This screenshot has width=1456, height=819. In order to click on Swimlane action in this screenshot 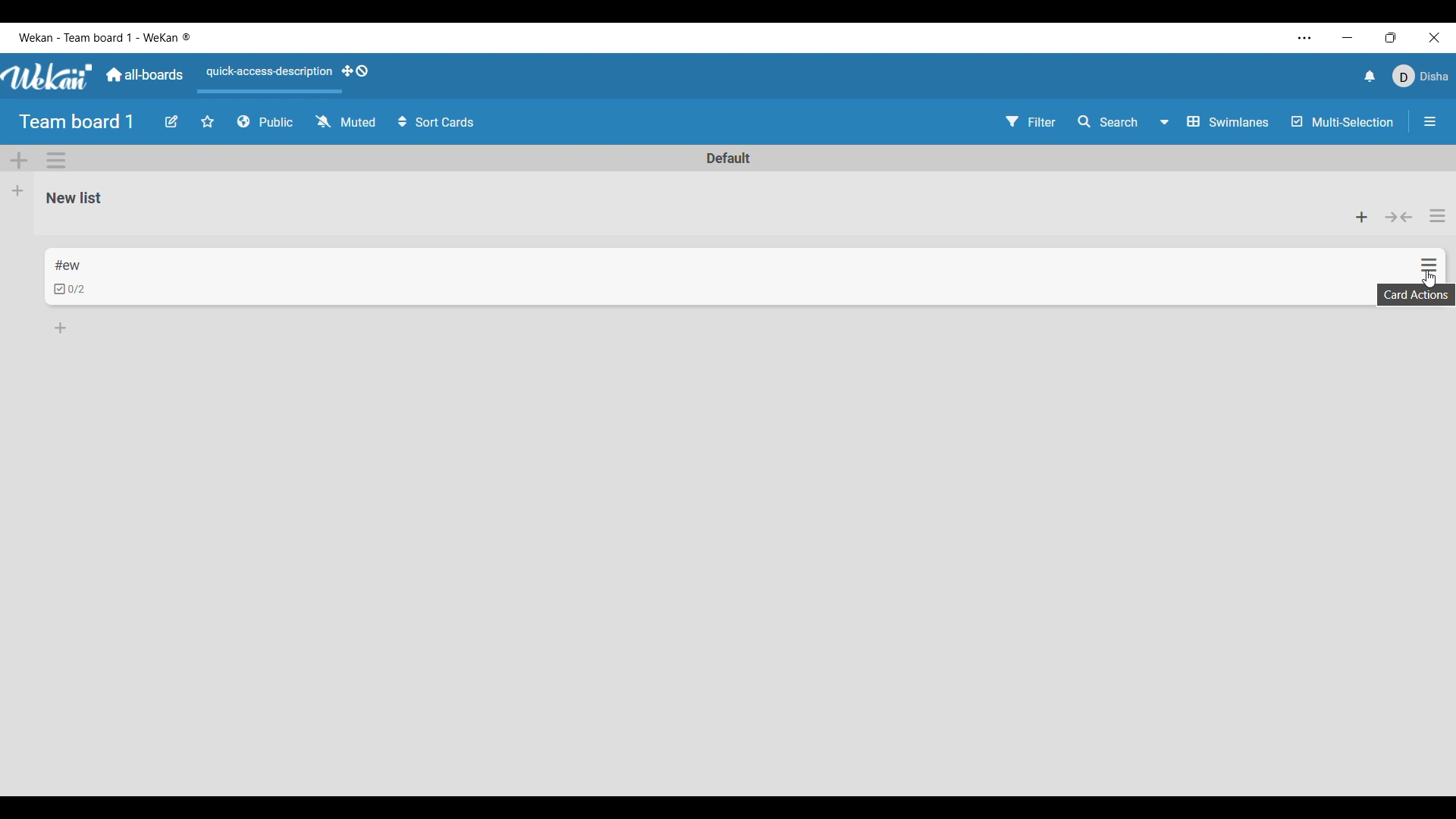, I will do `click(55, 160)`.